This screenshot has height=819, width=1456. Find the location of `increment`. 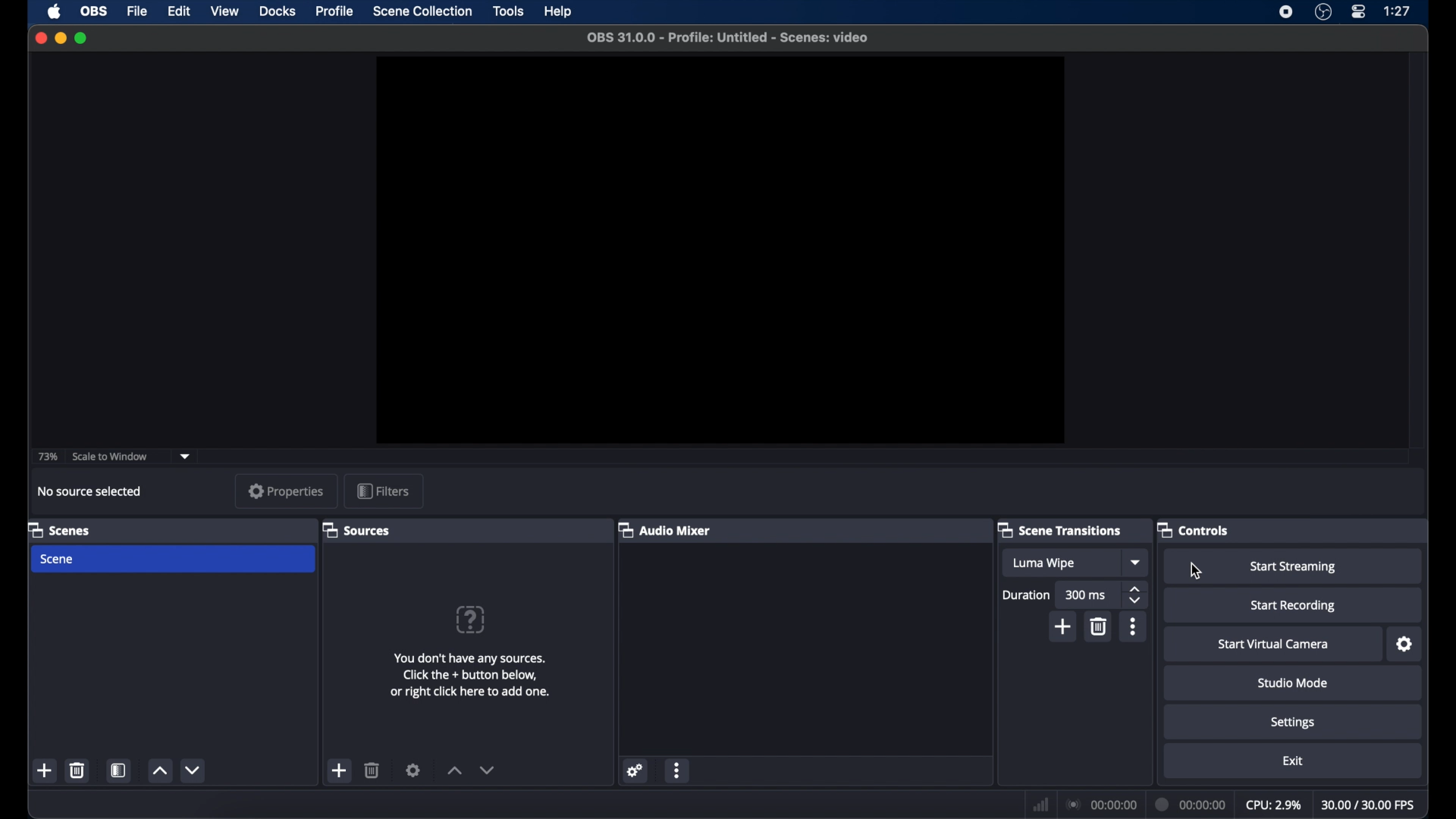

increment is located at coordinates (160, 770).